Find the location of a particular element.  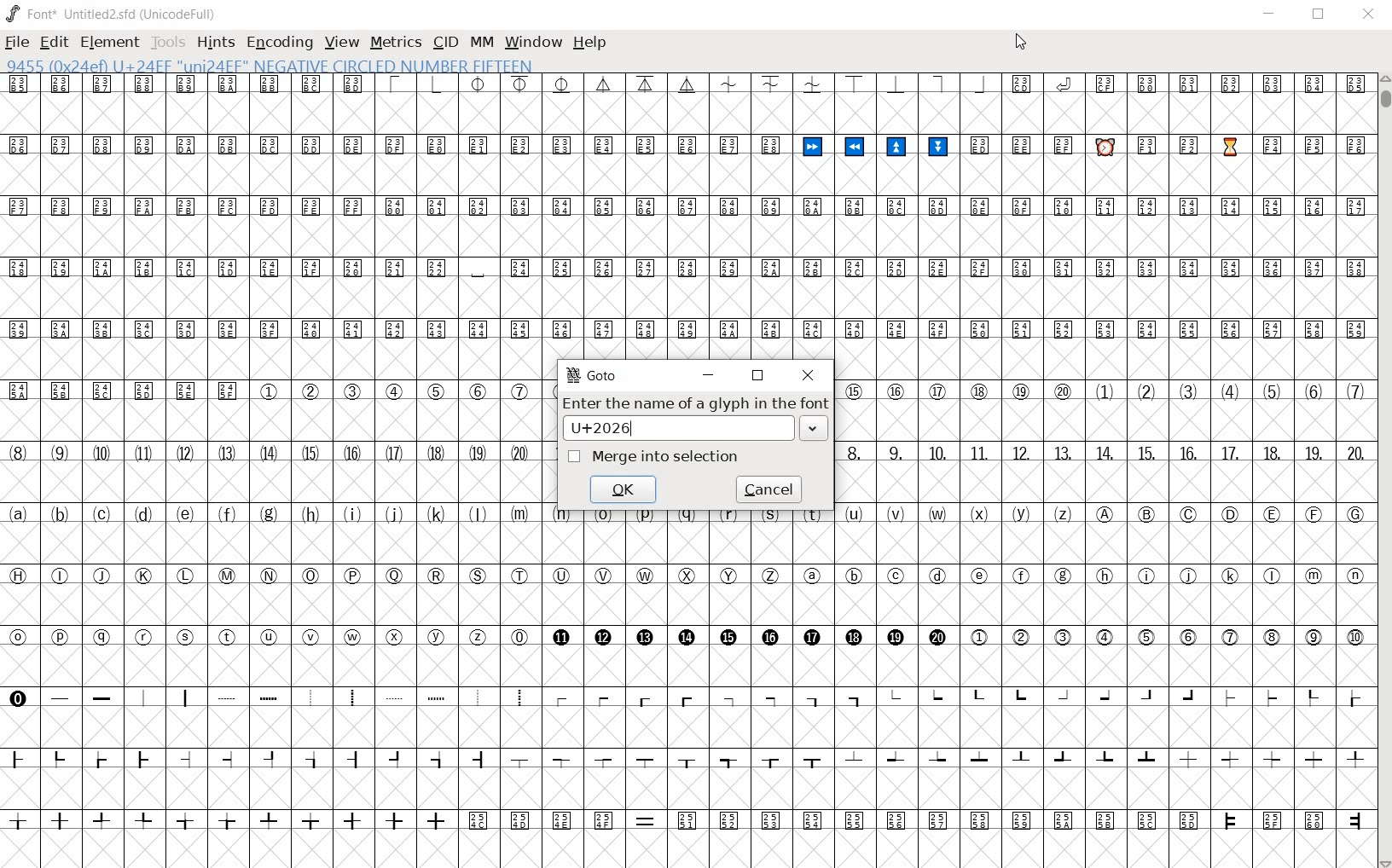

ok is located at coordinates (623, 488).